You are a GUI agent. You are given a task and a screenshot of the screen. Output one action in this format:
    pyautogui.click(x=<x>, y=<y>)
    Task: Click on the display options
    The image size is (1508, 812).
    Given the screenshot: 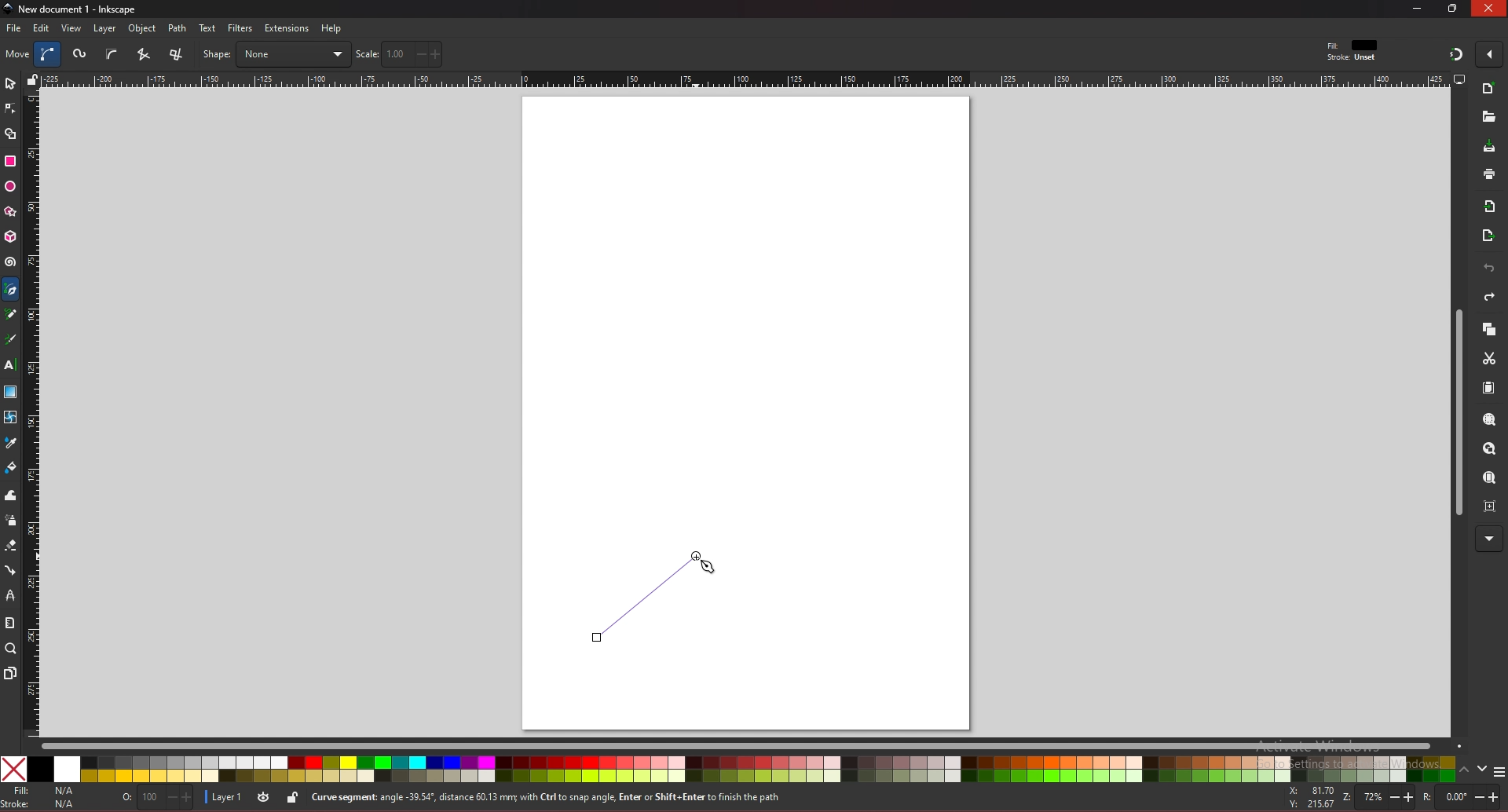 What is the action you would take?
    pyautogui.click(x=1459, y=79)
    